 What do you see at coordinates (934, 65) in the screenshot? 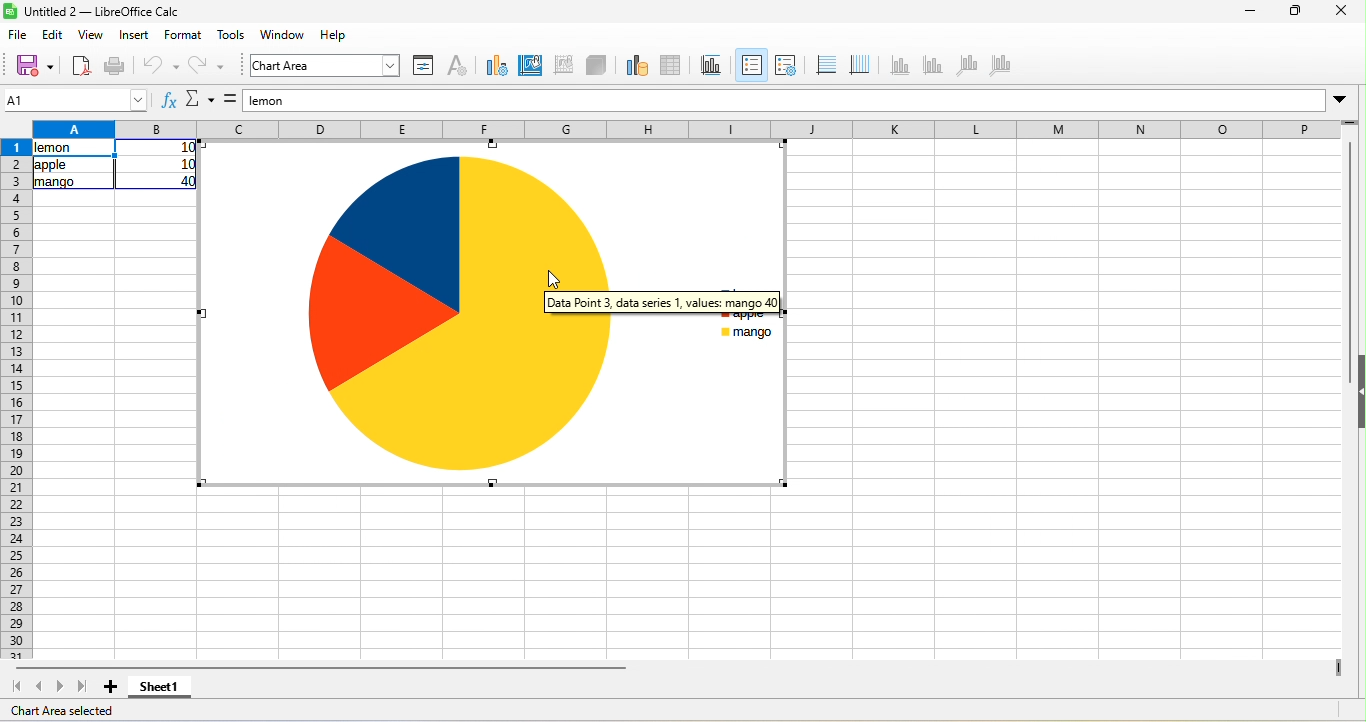
I see `y axis` at bounding box center [934, 65].